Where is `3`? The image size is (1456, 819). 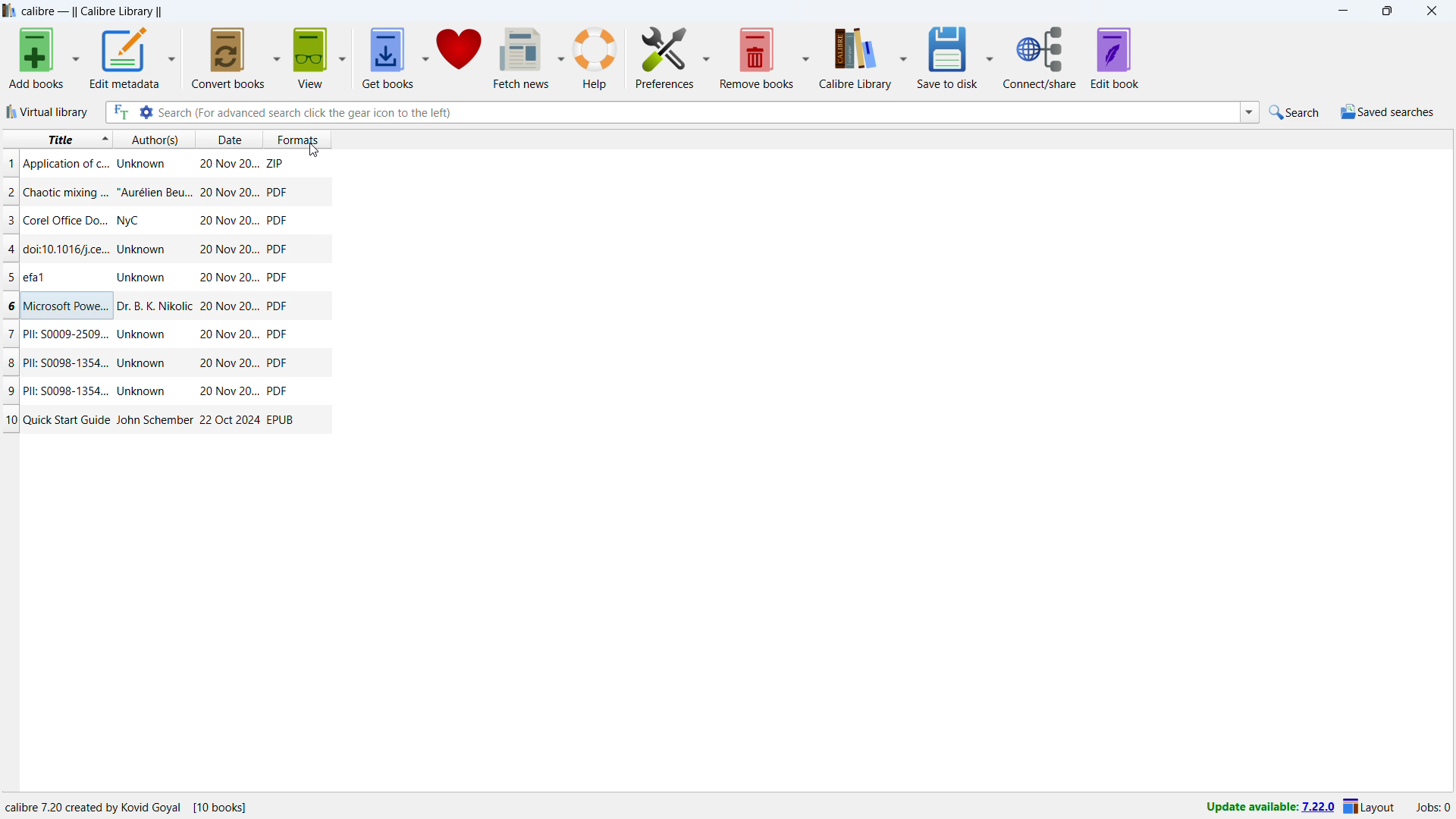 3 is located at coordinates (9, 220).